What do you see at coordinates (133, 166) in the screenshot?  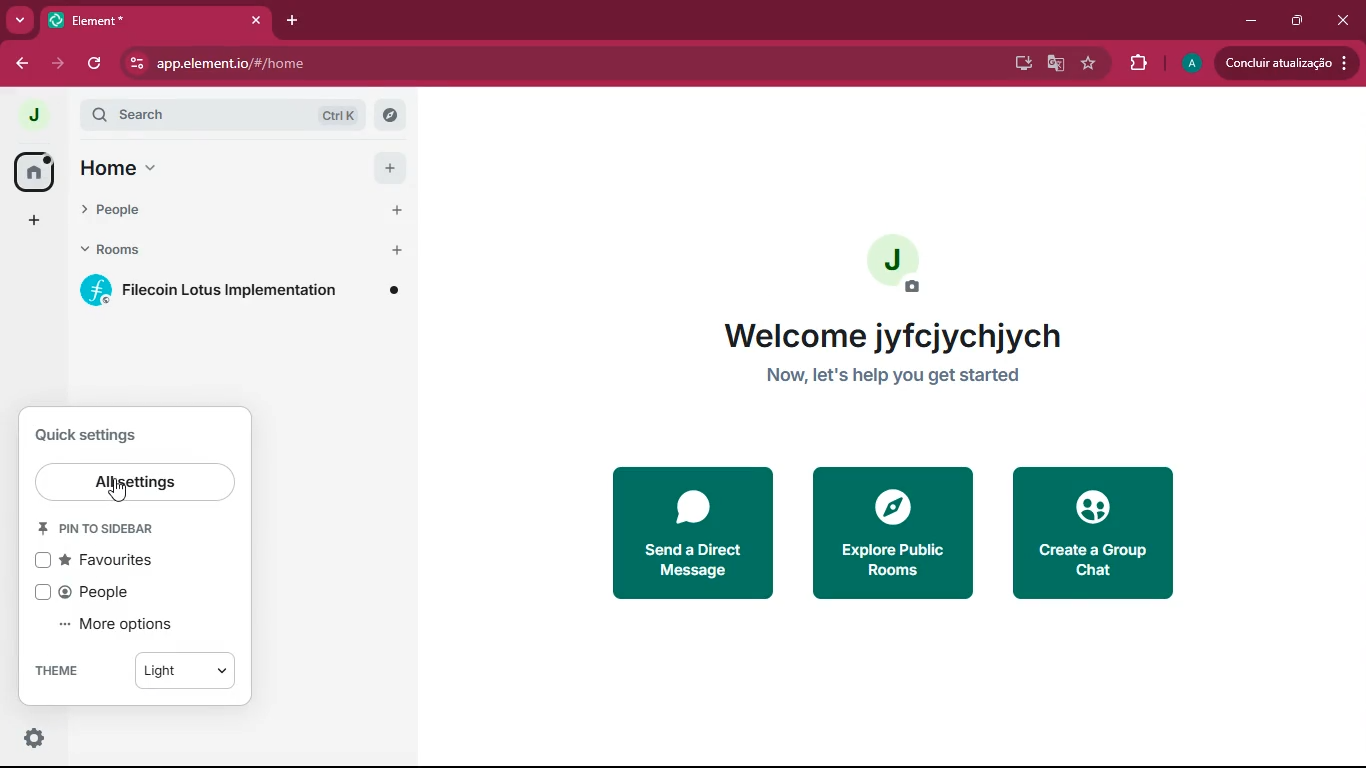 I see `home` at bounding box center [133, 166].